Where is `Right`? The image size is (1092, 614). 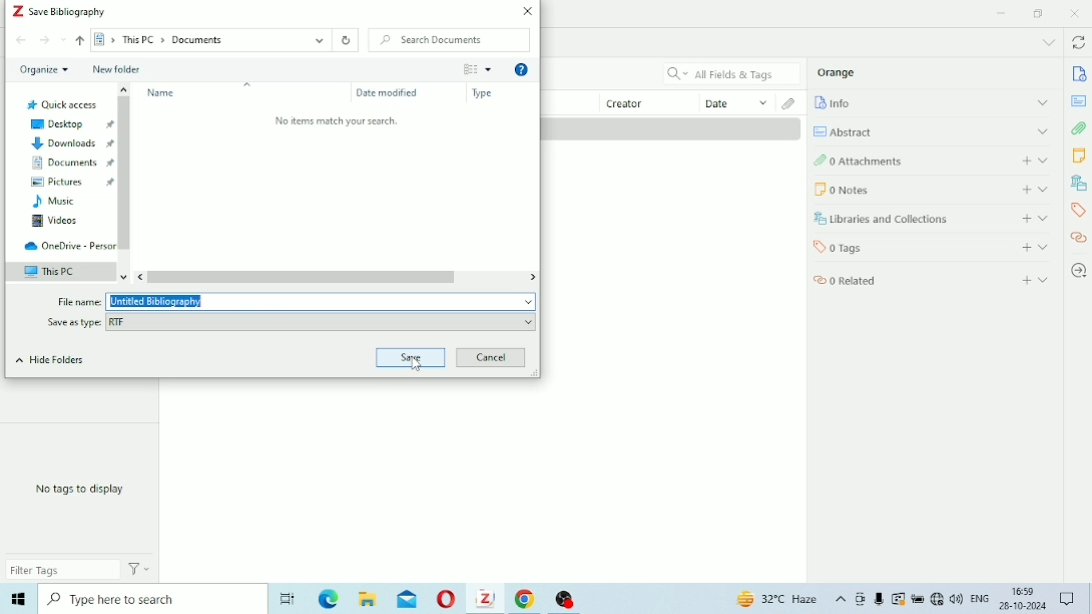
Right is located at coordinates (530, 275).